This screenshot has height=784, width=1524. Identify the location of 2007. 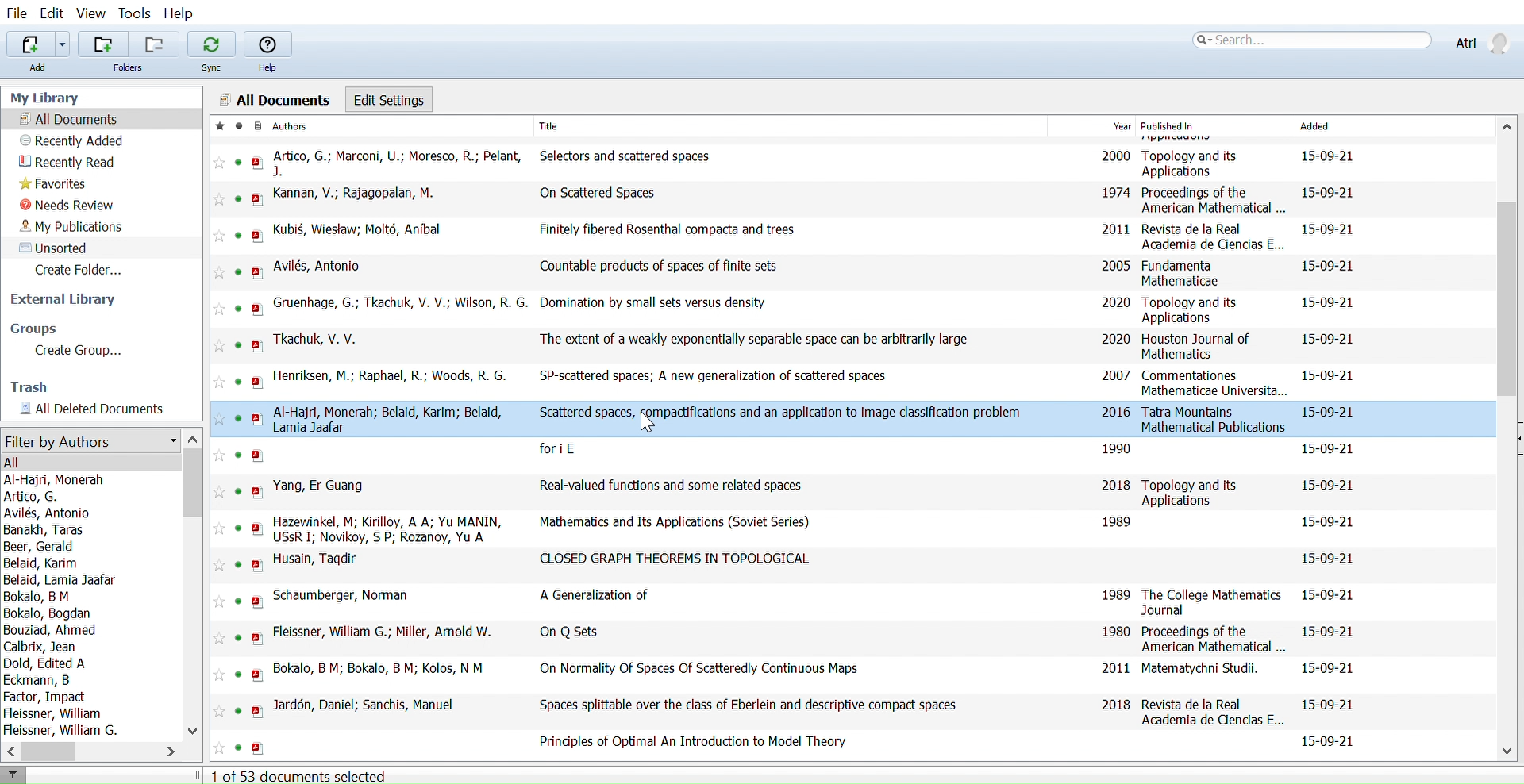
(1118, 376).